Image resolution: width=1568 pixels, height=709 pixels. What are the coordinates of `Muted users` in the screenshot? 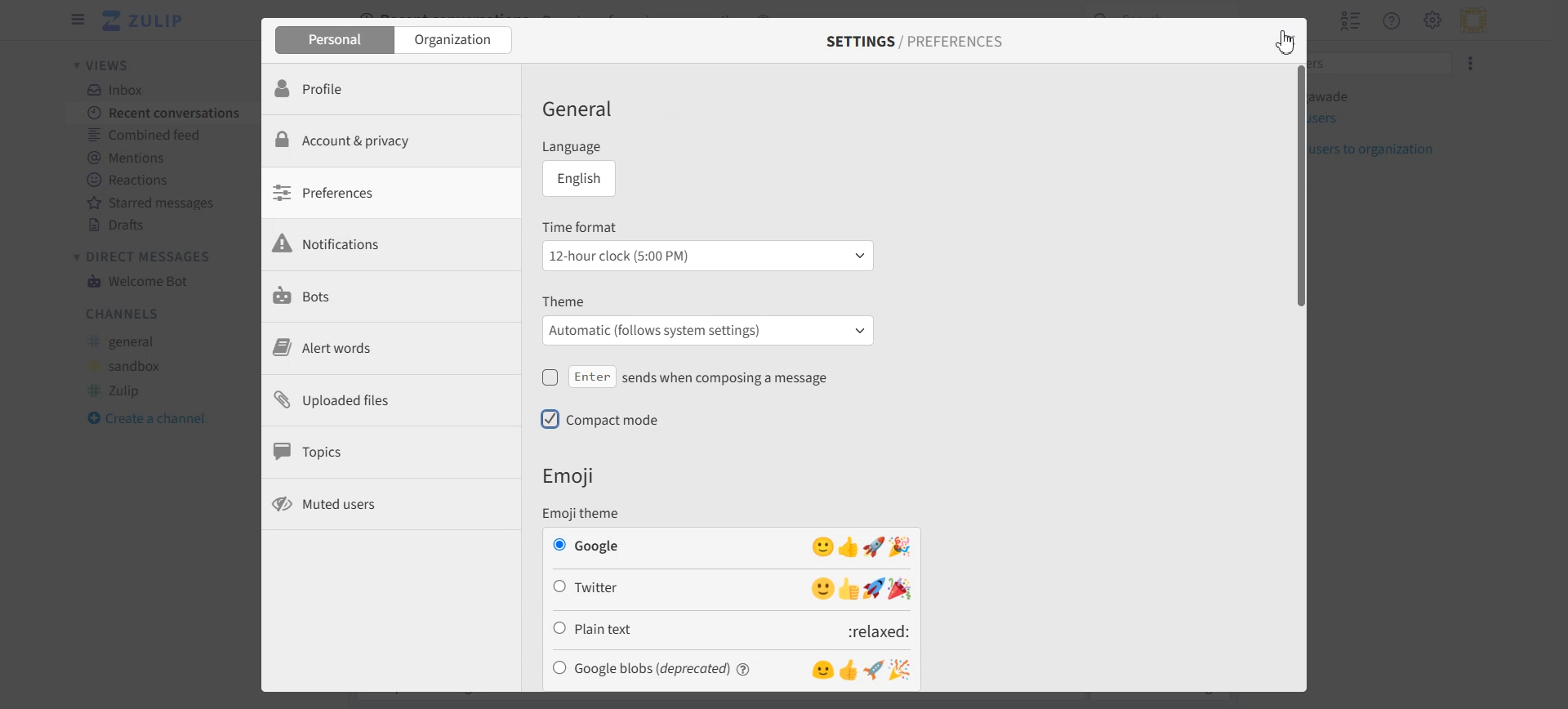 It's located at (390, 506).